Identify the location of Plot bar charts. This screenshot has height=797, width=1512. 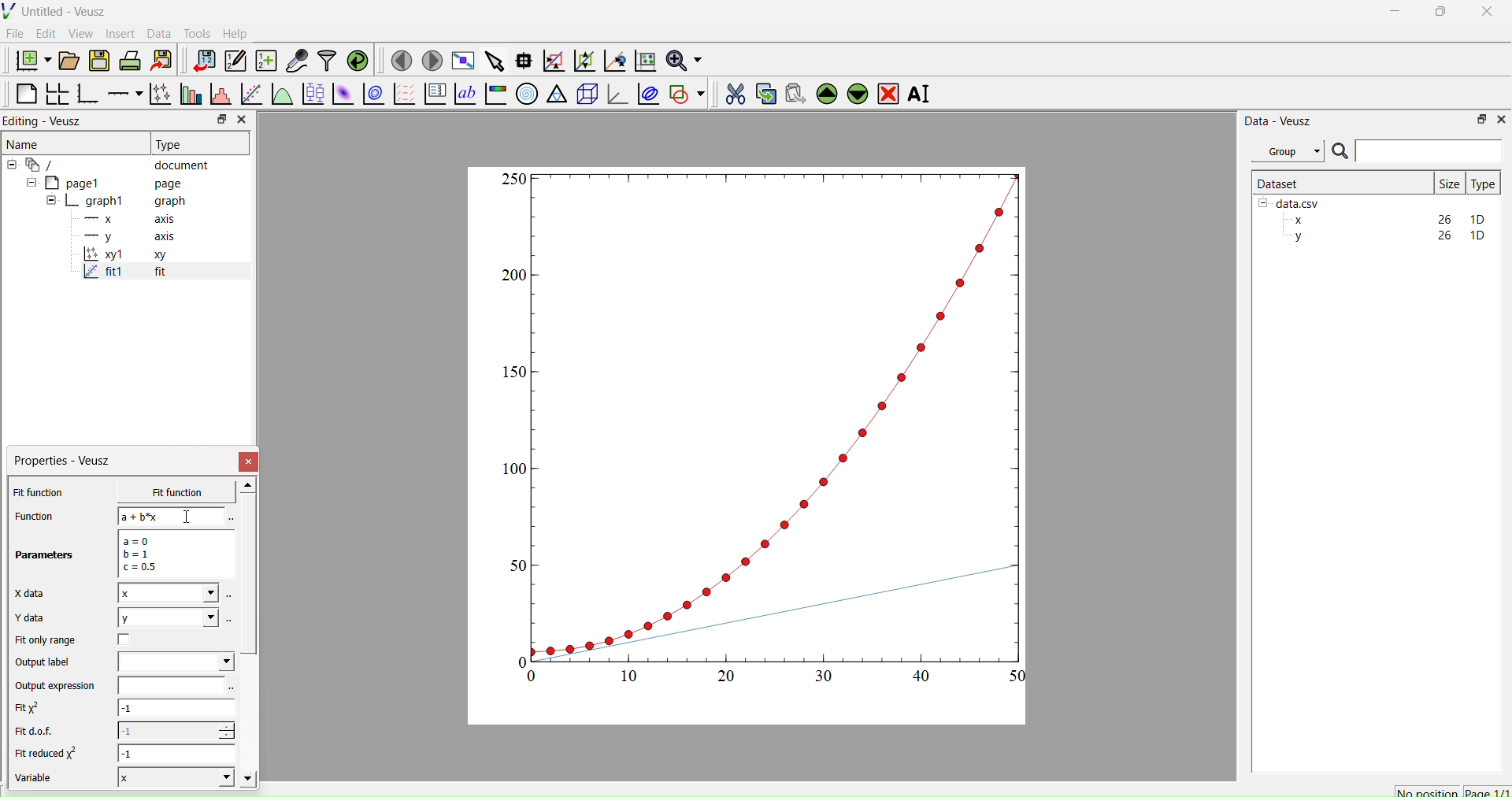
(189, 95).